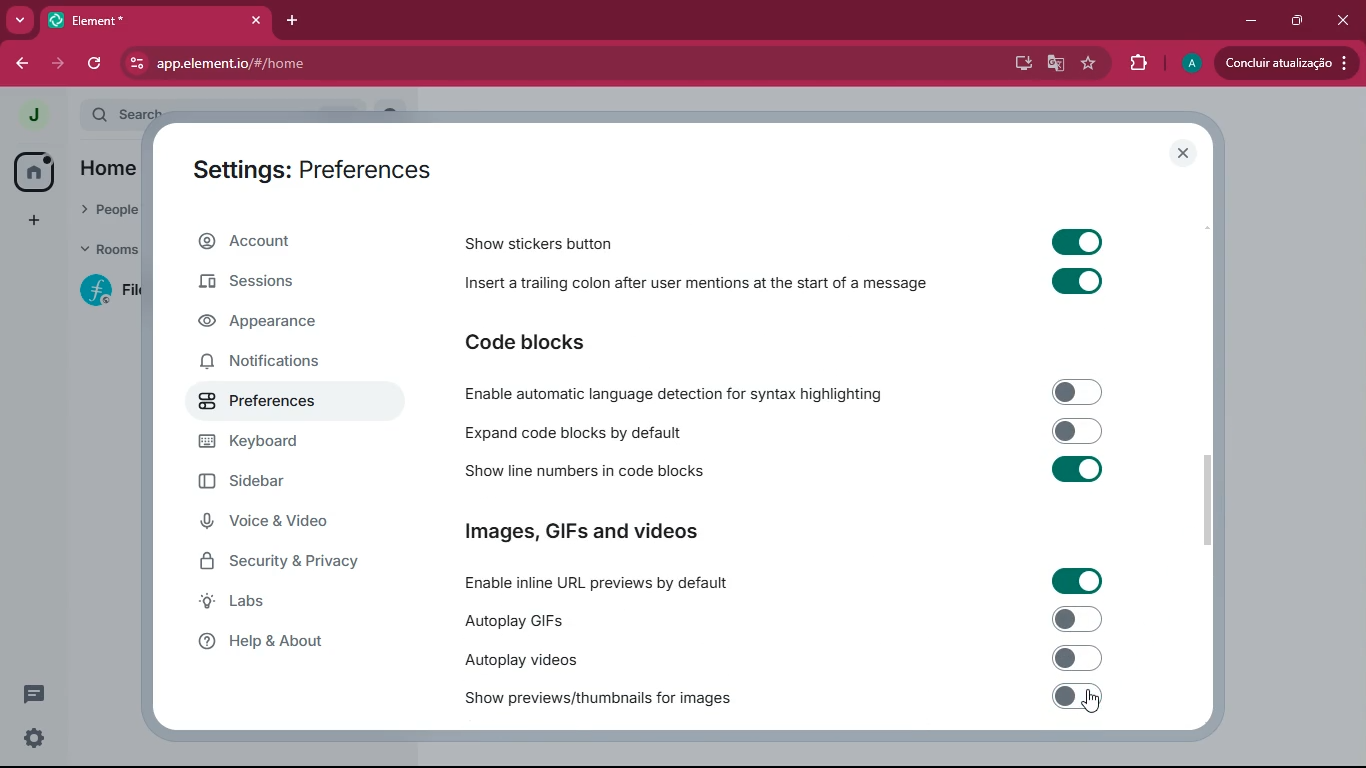 Image resolution: width=1366 pixels, height=768 pixels. Describe the element at coordinates (557, 341) in the screenshot. I see `Code blocks` at that location.